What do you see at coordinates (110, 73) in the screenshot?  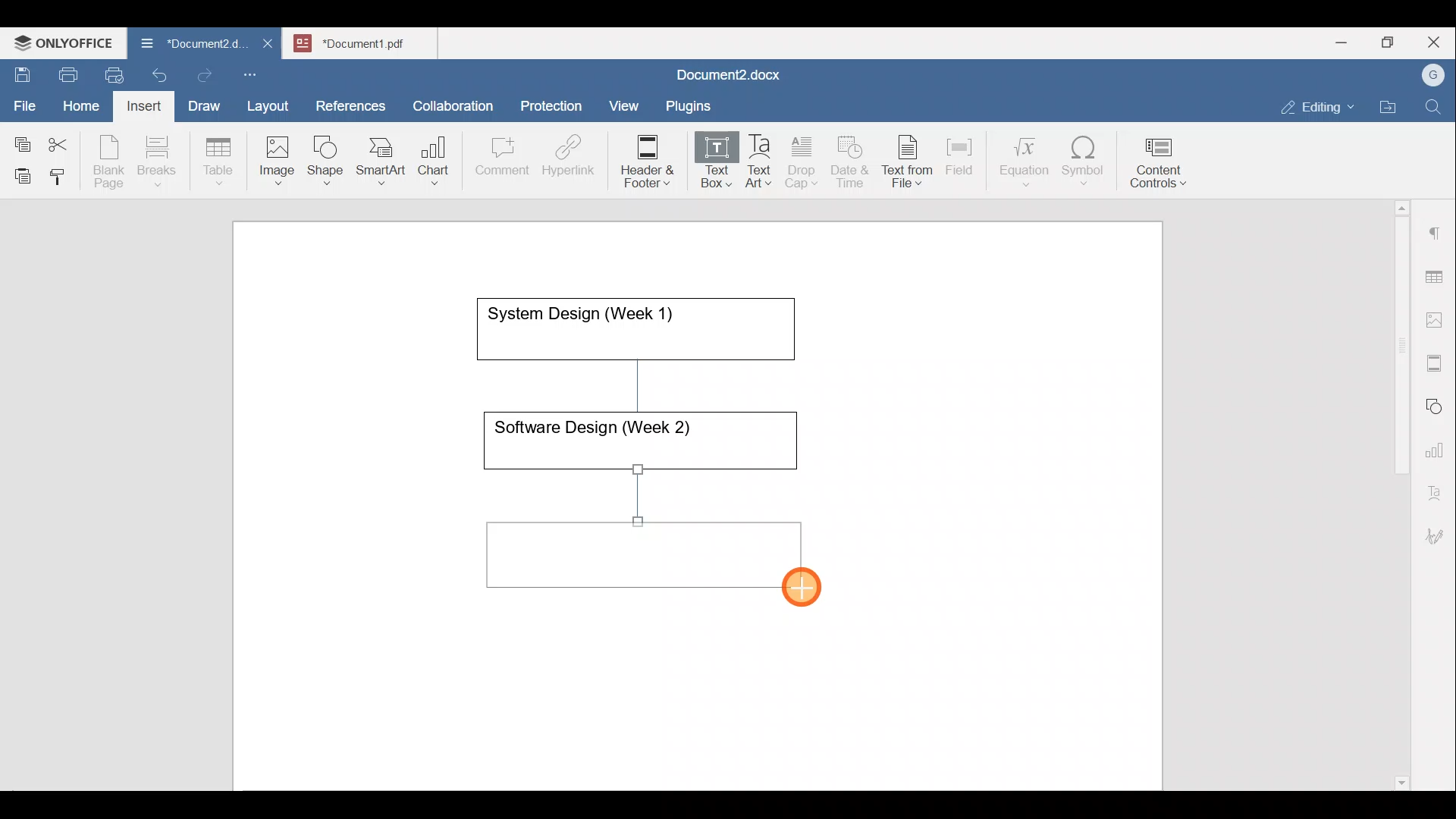 I see `Quick print` at bounding box center [110, 73].